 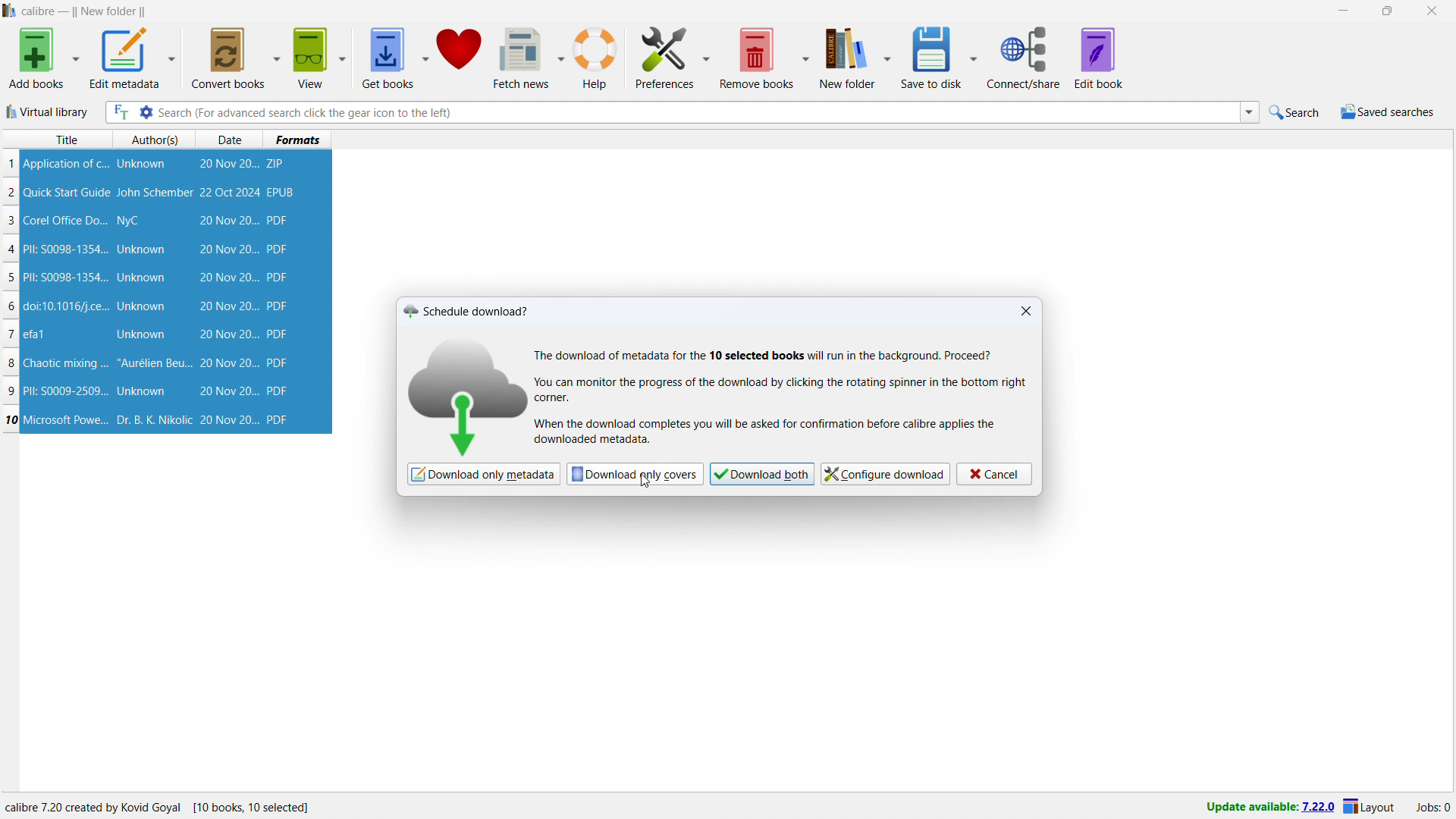 I want to click on search all text, so click(x=121, y=112).